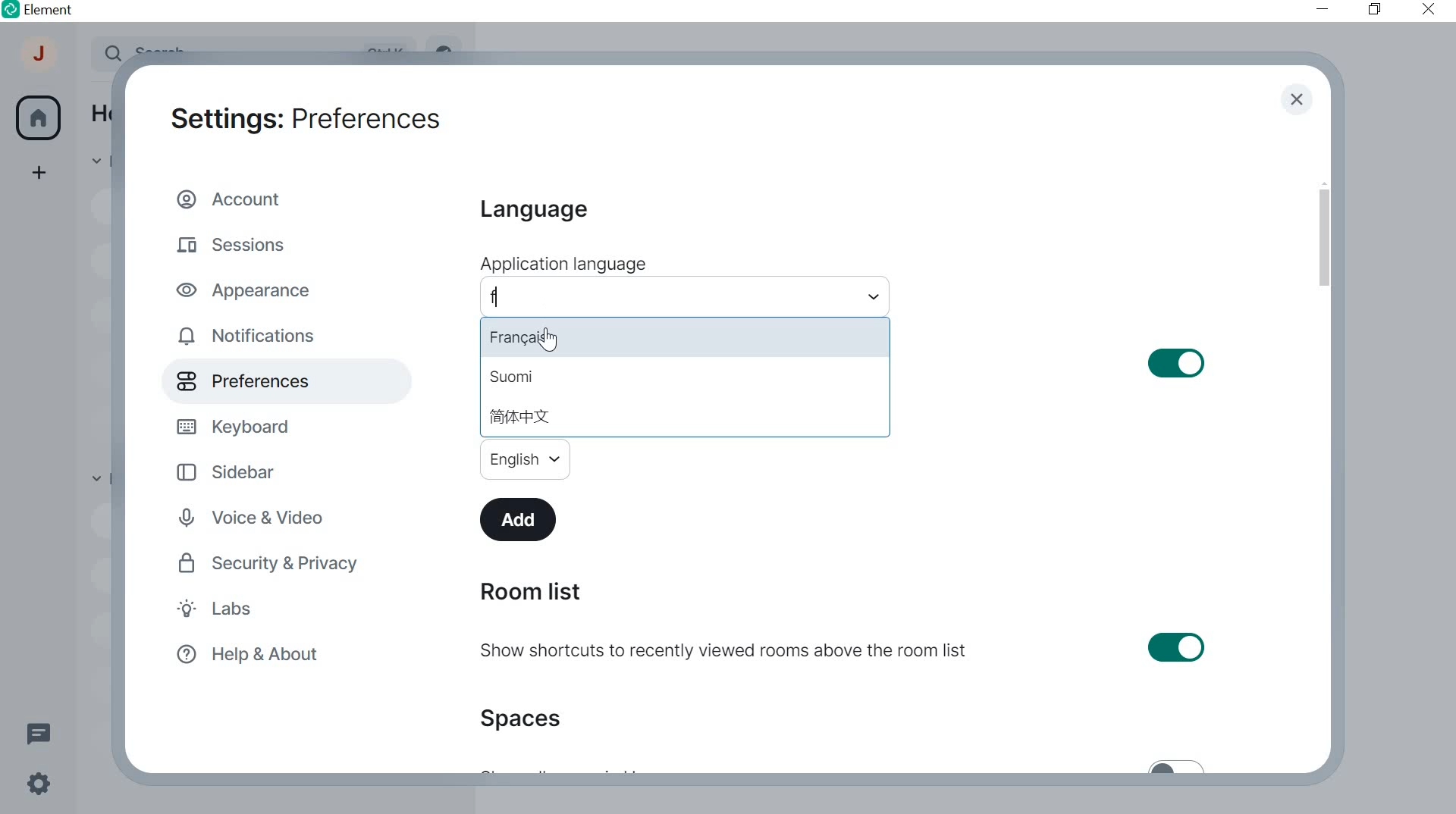 The image size is (1456, 814). What do you see at coordinates (234, 198) in the screenshot?
I see `ACCOUNT` at bounding box center [234, 198].